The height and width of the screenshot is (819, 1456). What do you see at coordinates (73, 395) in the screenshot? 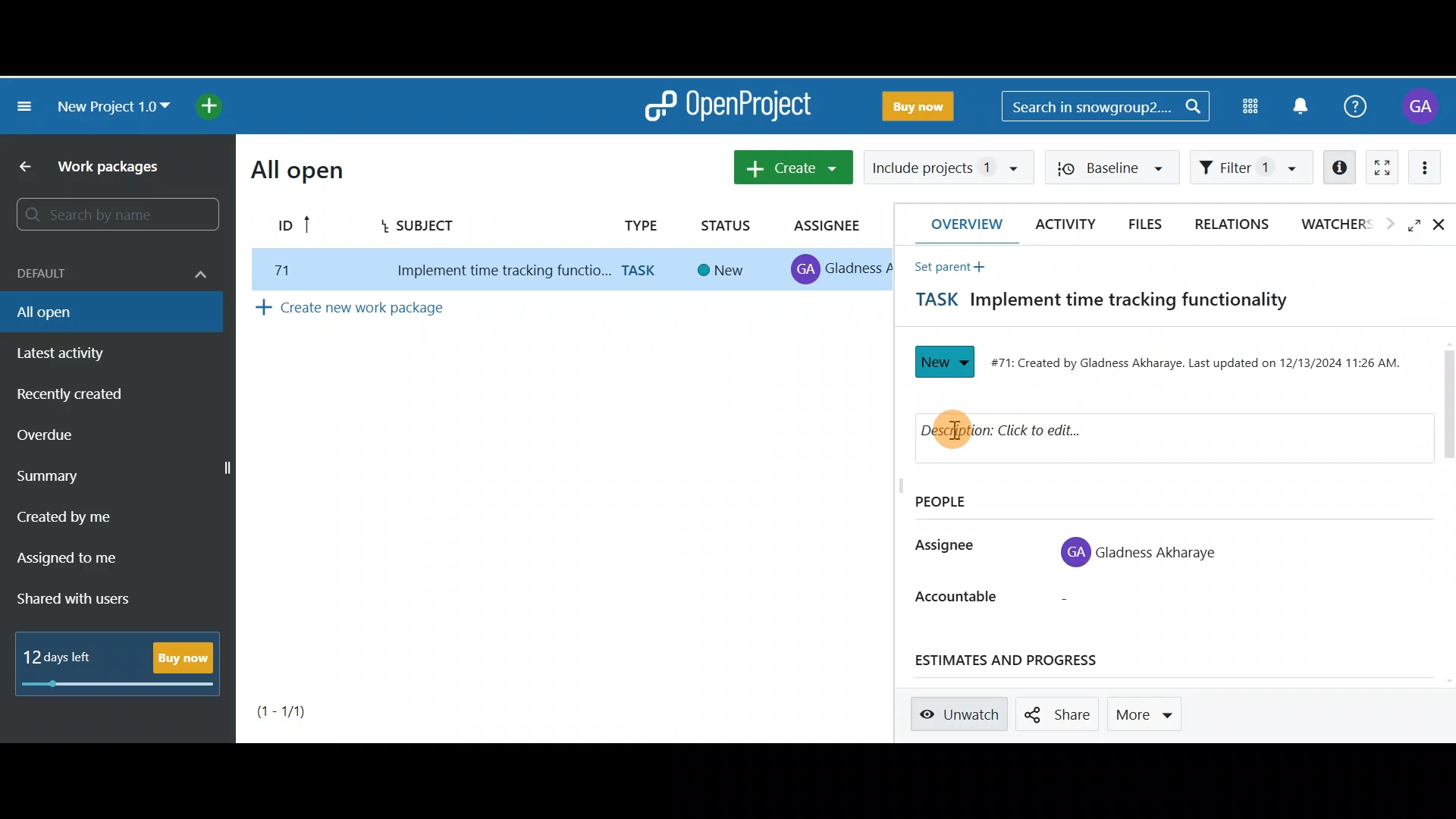
I see `Recently created` at bounding box center [73, 395].